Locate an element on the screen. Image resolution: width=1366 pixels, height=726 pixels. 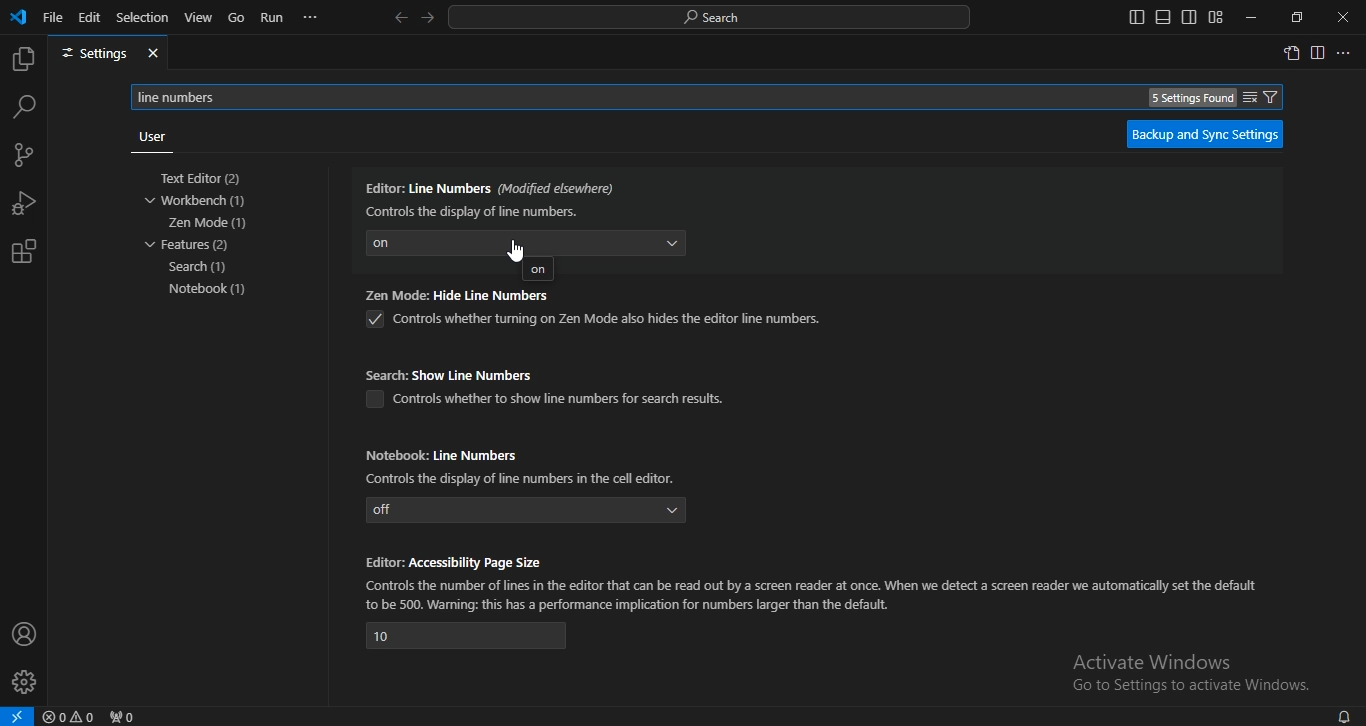
view is located at coordinates (199, 17).